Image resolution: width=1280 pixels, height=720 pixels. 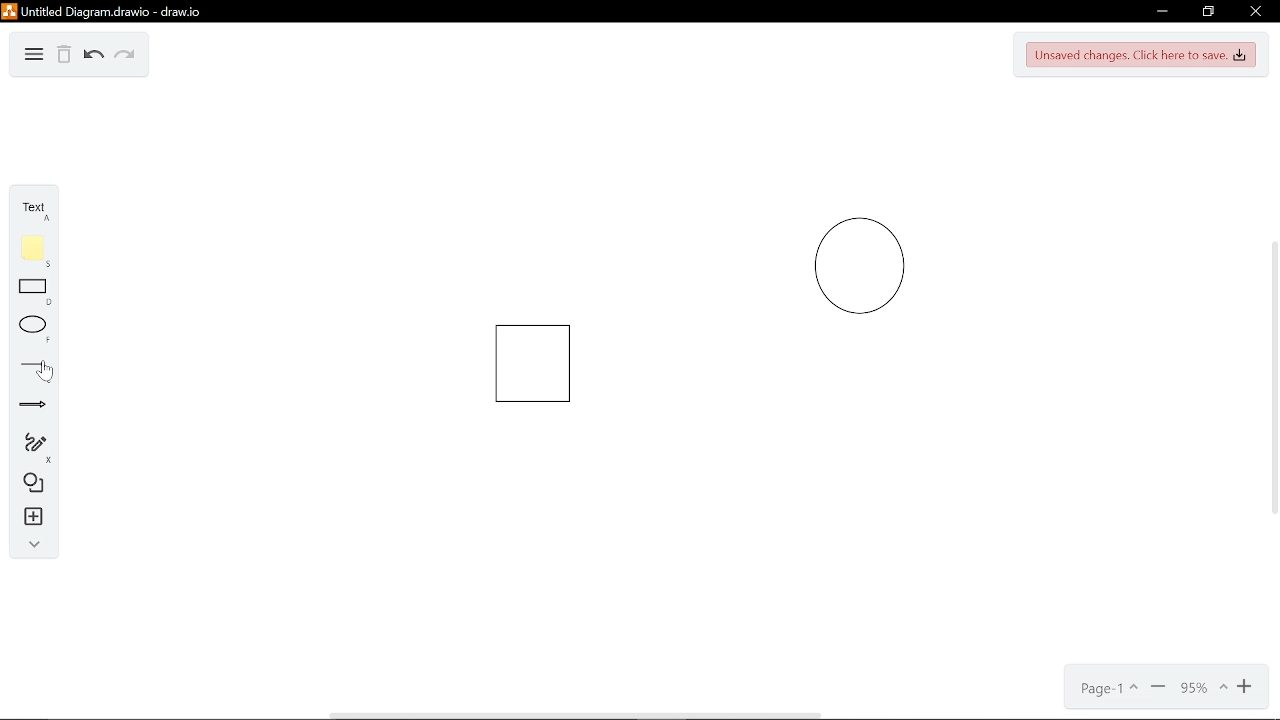 What do you see at coordinates (29, 330) in the screenshot?
I see `Ellipse` at bounding box center [29, 330].